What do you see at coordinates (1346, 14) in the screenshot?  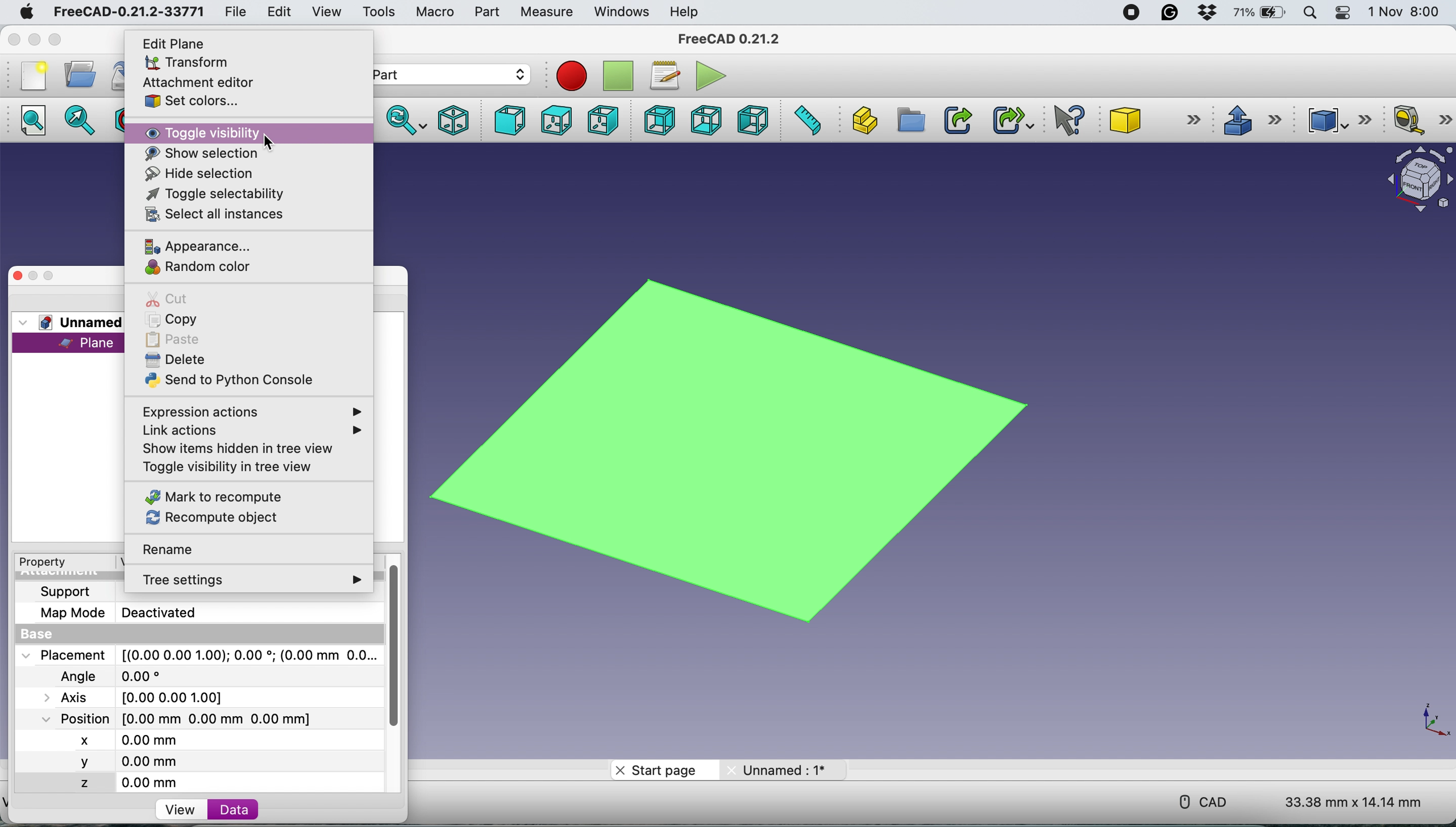 I see `control center` at bounding box center [1346, 14].